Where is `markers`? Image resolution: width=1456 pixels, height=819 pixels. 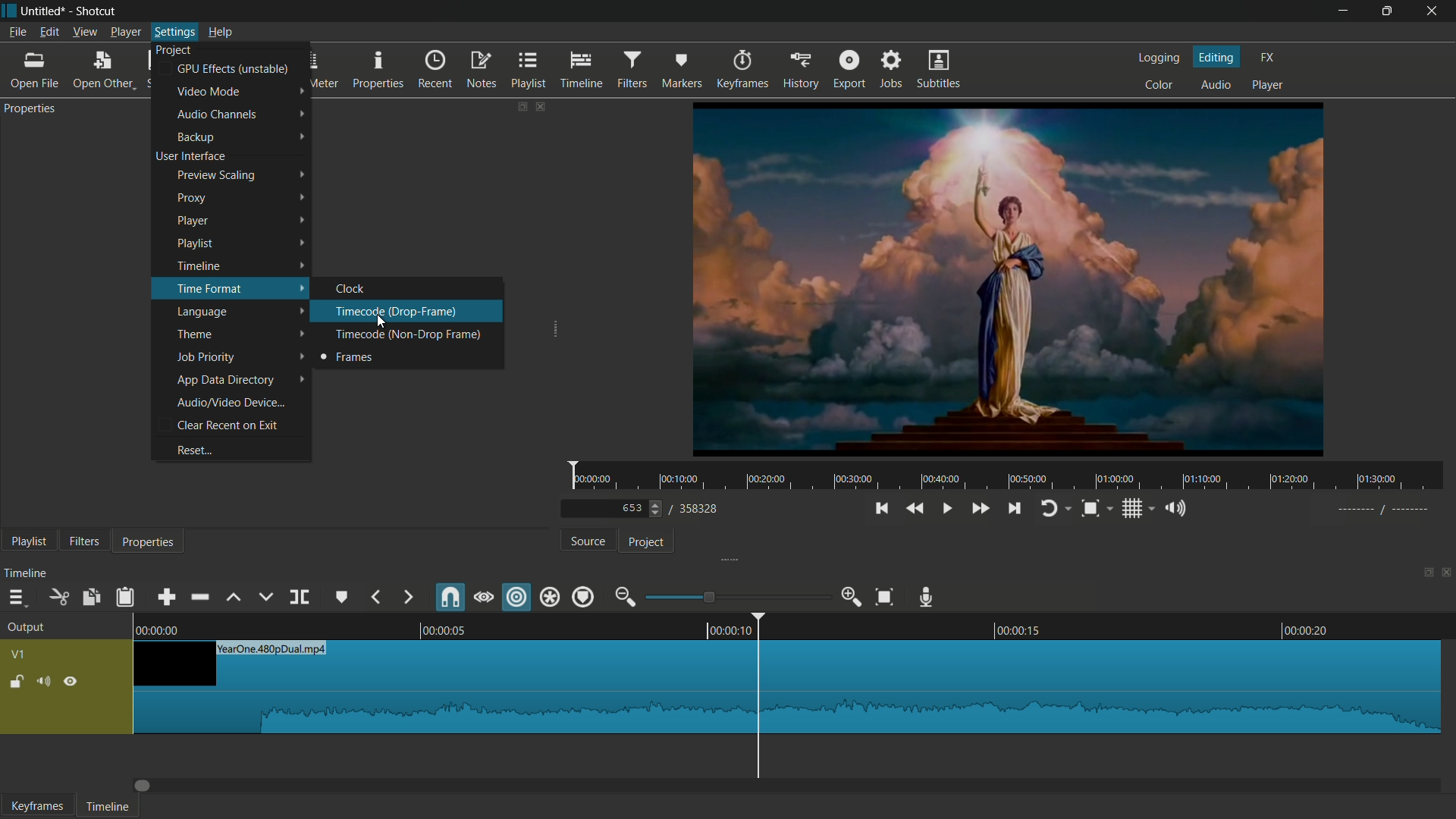
markers is located at coordinates (681, 69).